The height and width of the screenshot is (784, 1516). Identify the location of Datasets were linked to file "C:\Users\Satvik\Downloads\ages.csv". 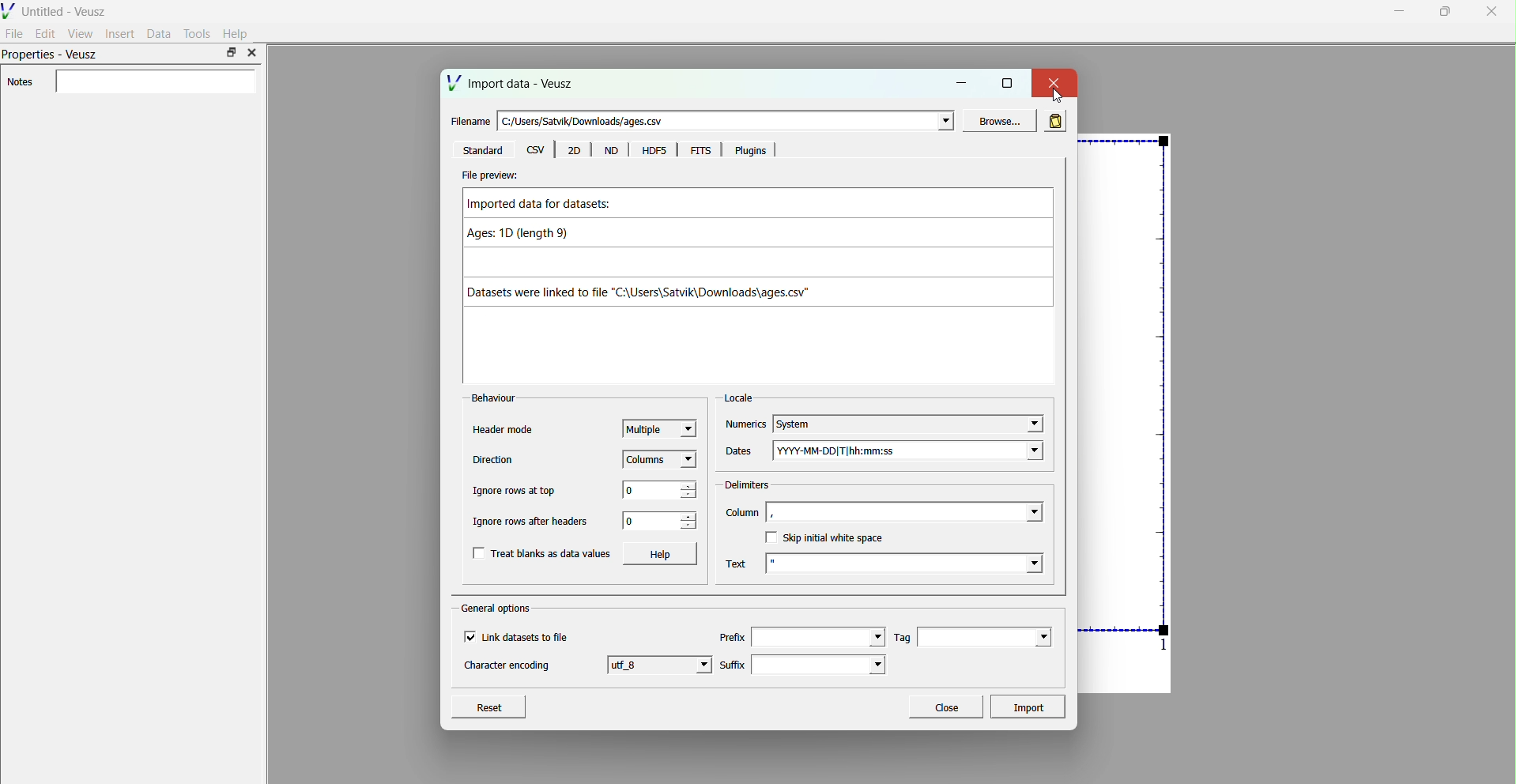
(658, 292).